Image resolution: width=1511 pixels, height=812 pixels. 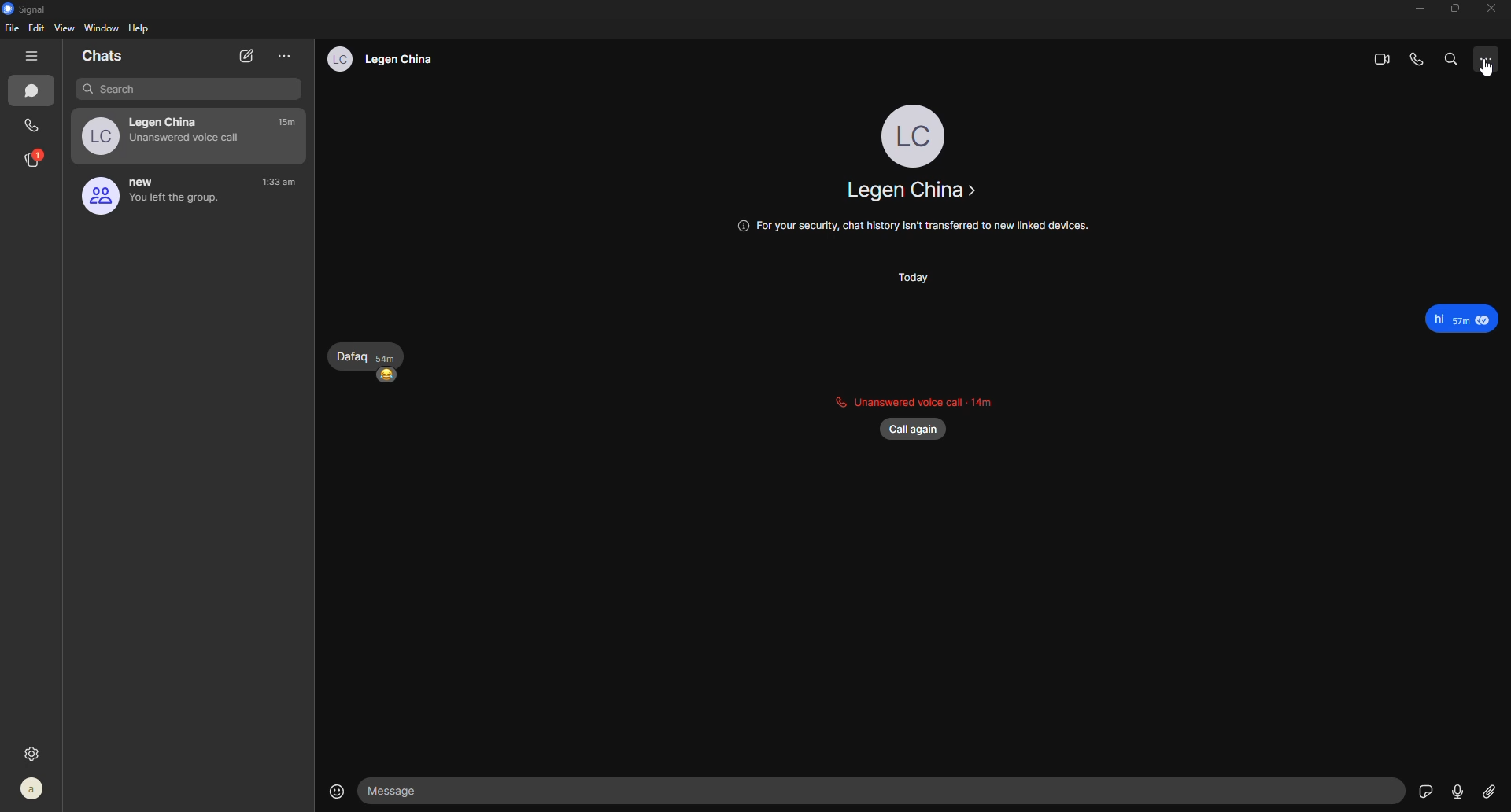 I want to click on © For your security, chat history isn't transferred to new linked devices., so click(x=905, y=228).